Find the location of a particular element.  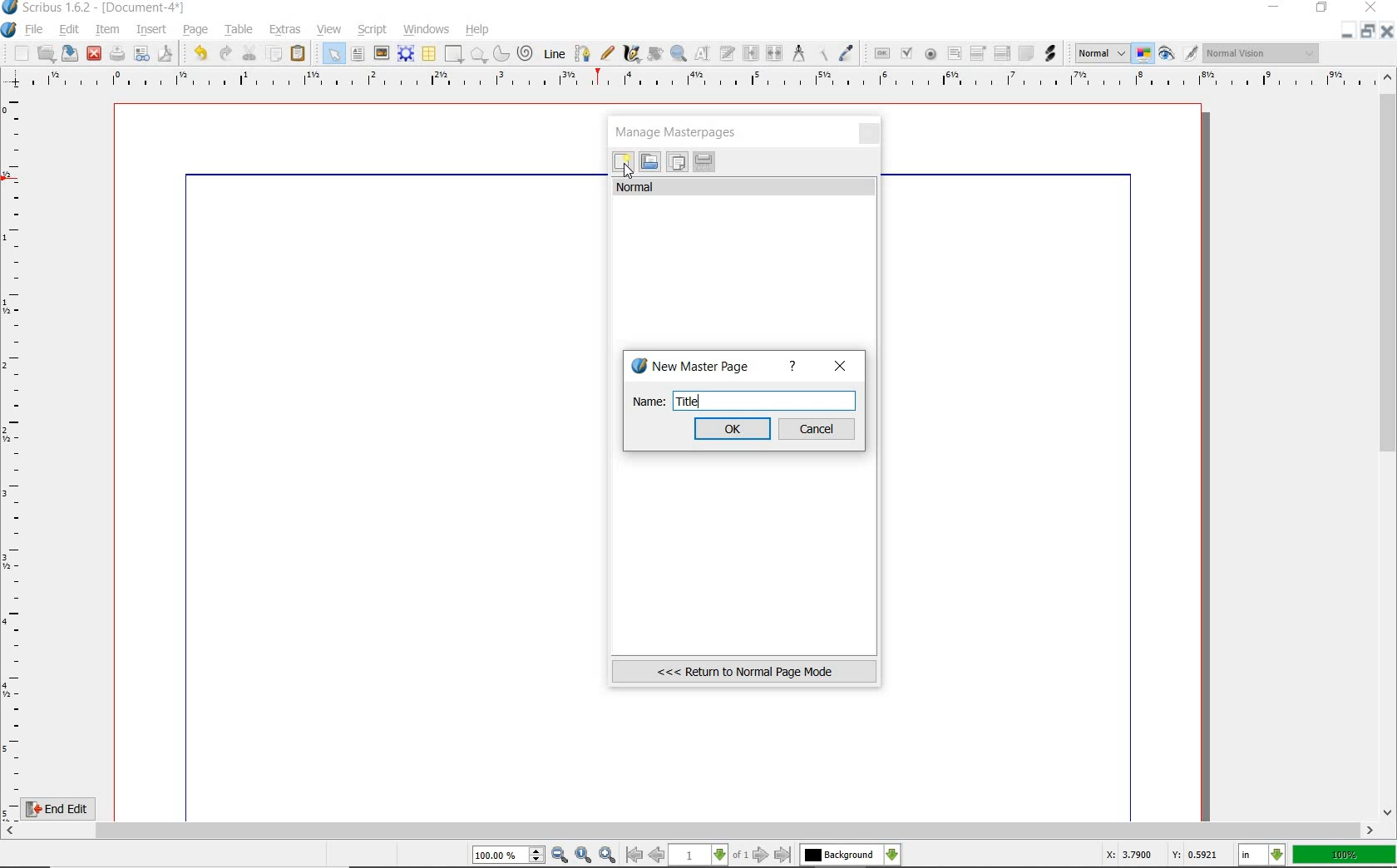

select is located at coordinates (330, 53).